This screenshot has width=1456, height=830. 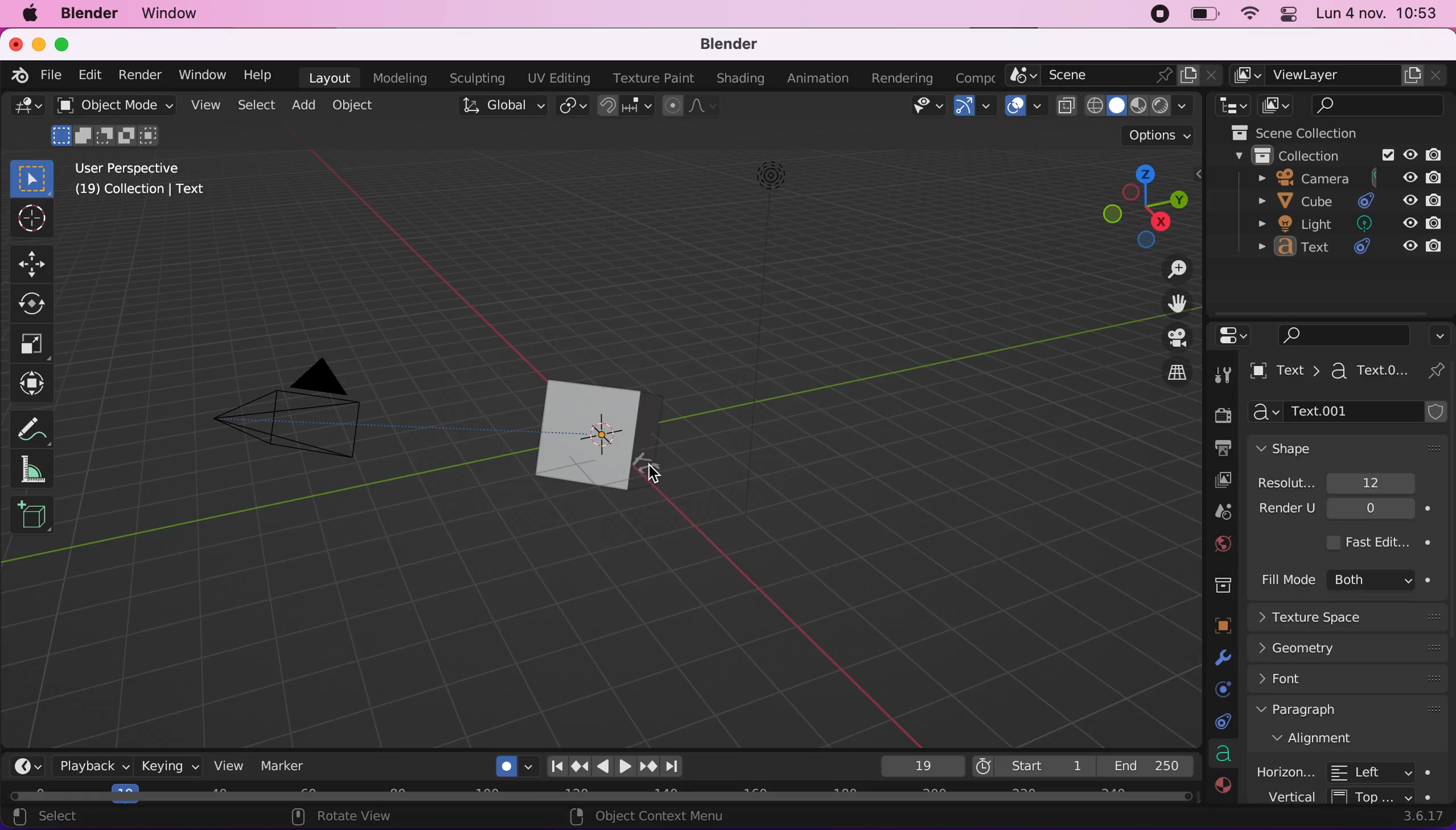 What do you see at coordinates (1329, 157) in the screenshot?
I see `collection` at bounding box center [1329, 157].